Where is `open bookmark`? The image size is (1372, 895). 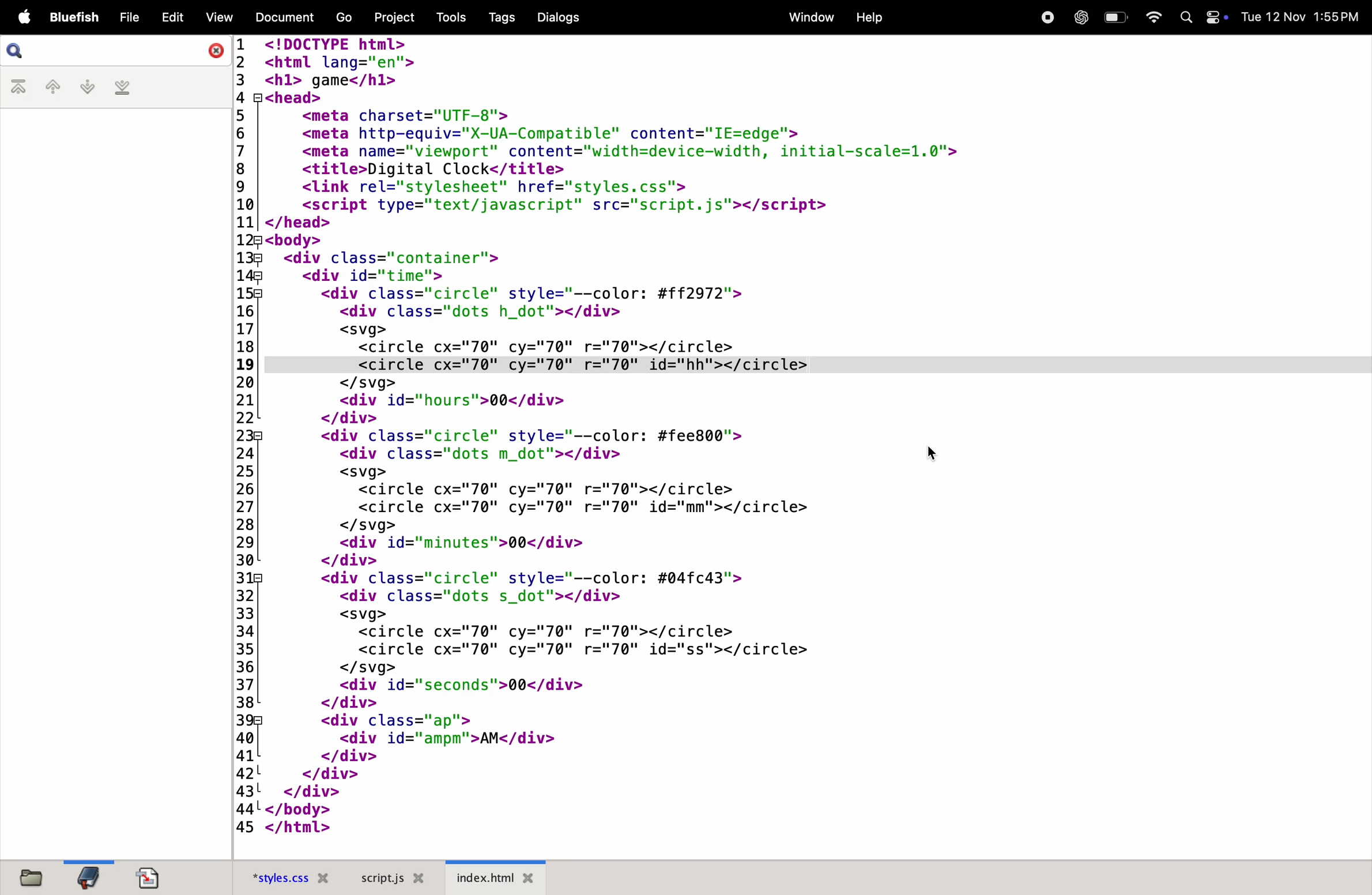
open bookmark is located at coordinates (88, 878).